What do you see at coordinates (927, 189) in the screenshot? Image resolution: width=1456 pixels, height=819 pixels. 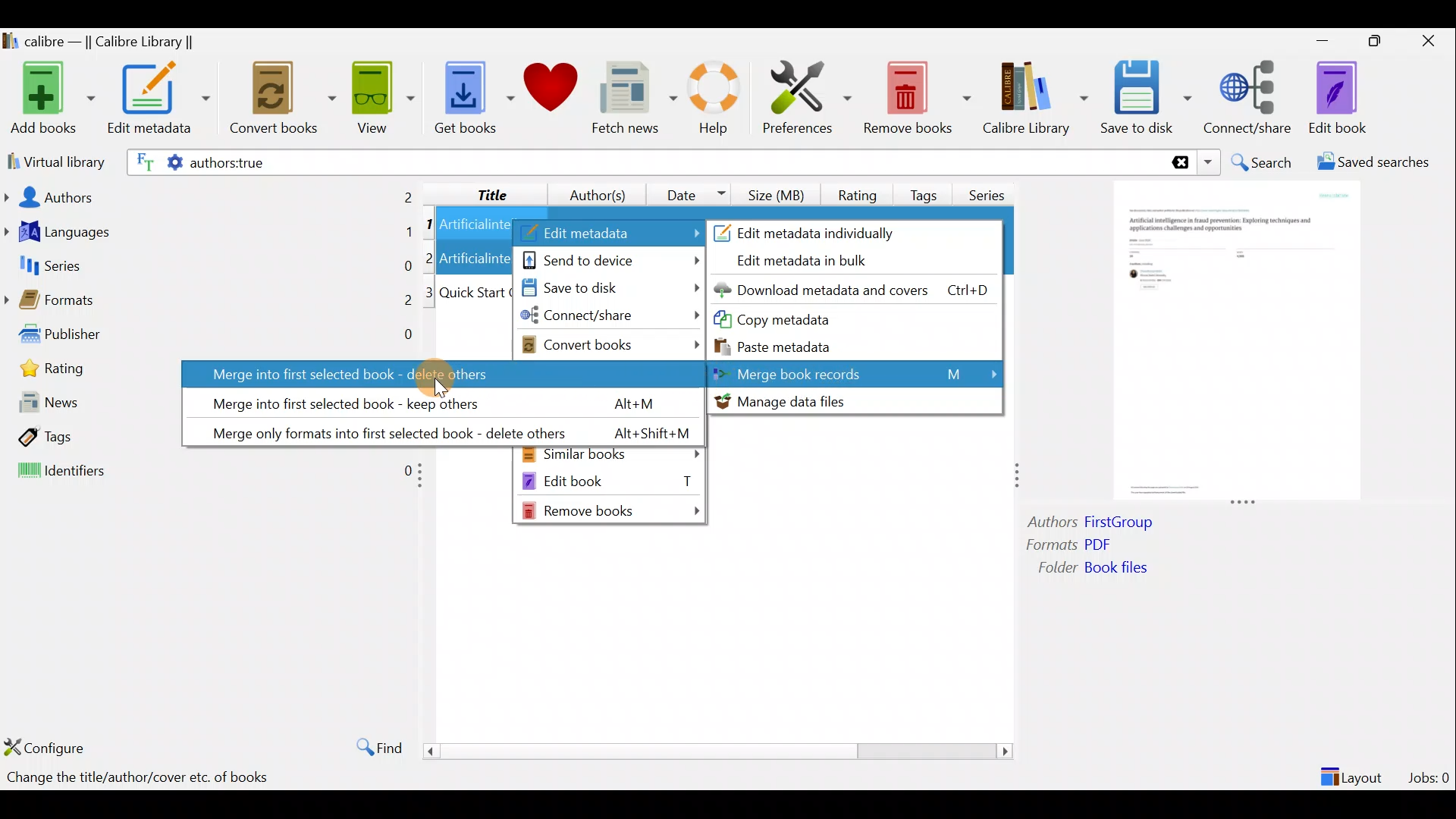 I see `Tags` at bounding box center [927, 189].